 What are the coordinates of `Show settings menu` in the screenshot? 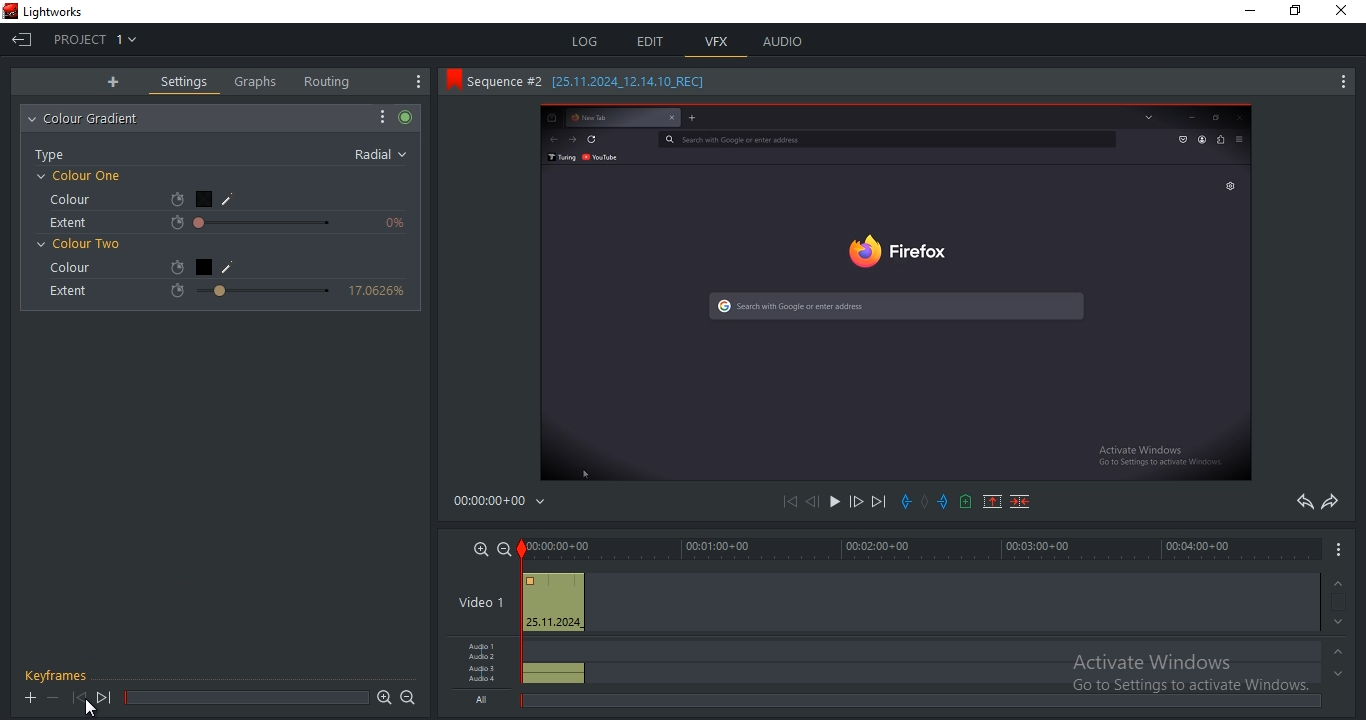 It's located at (414, 82).